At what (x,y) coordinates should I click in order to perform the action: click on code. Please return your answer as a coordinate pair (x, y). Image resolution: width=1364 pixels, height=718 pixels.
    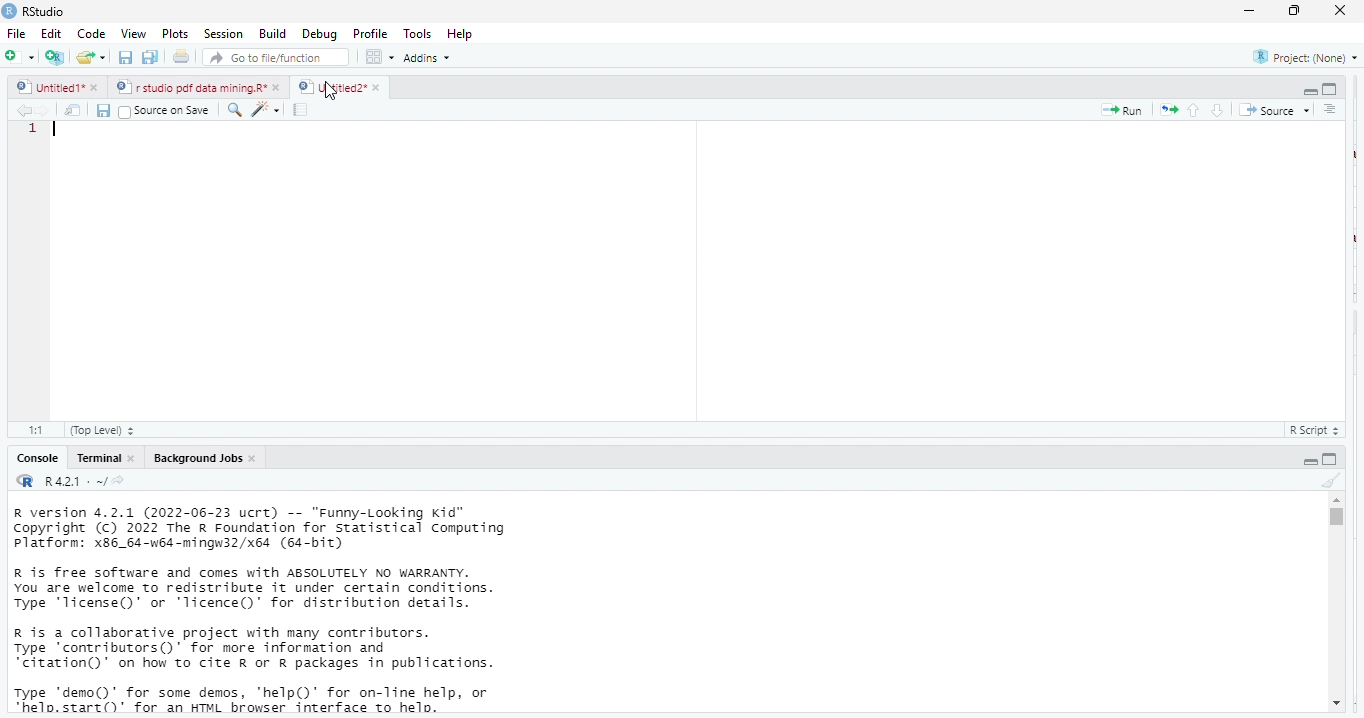
    Looking at the image, I should click on (89, 34).